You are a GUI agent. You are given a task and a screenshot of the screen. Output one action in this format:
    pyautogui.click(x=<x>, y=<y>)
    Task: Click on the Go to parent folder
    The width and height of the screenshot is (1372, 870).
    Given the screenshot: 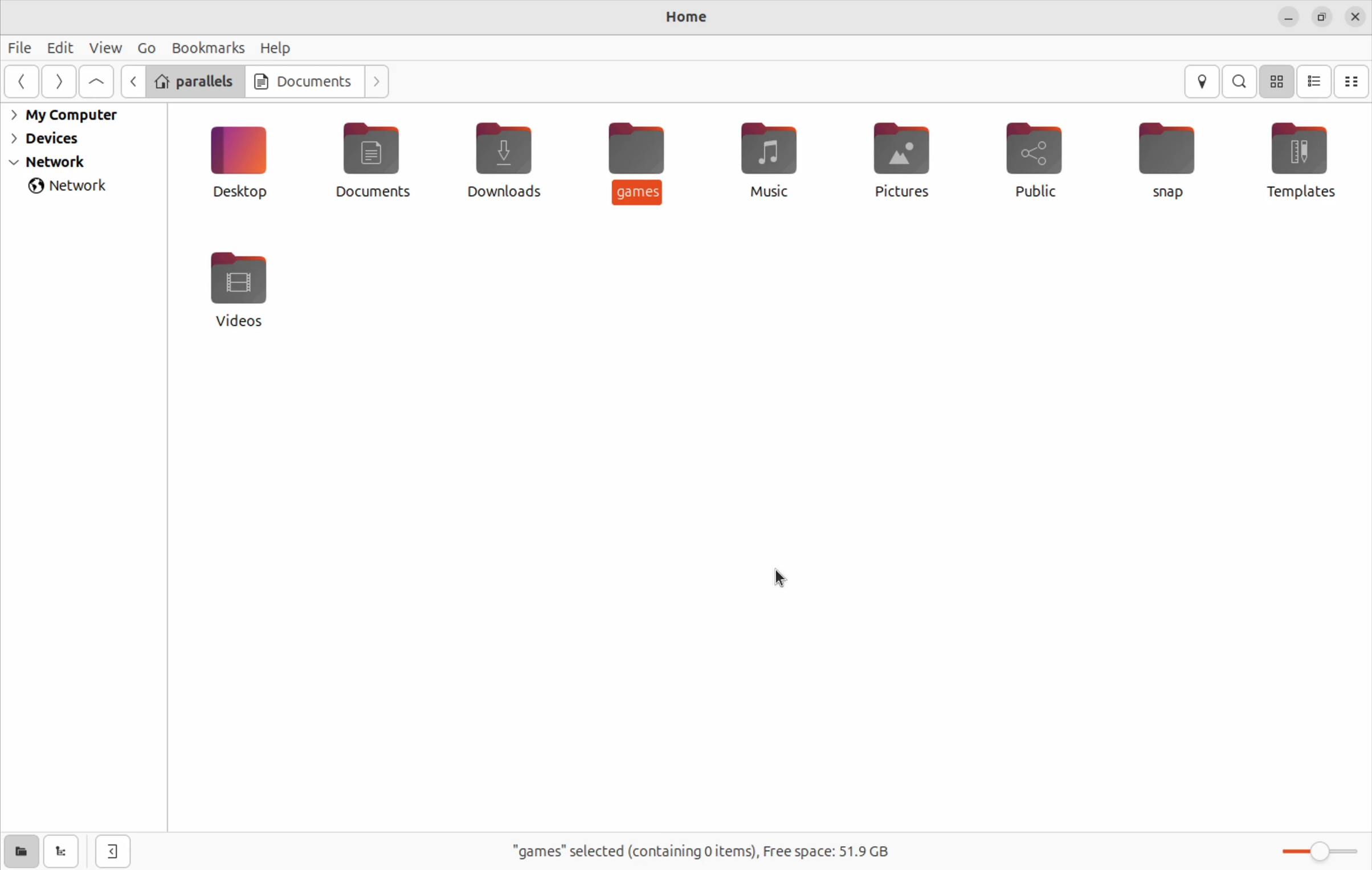 What is the action you would take?
    pyautogui.click(x=97, y=81)
    